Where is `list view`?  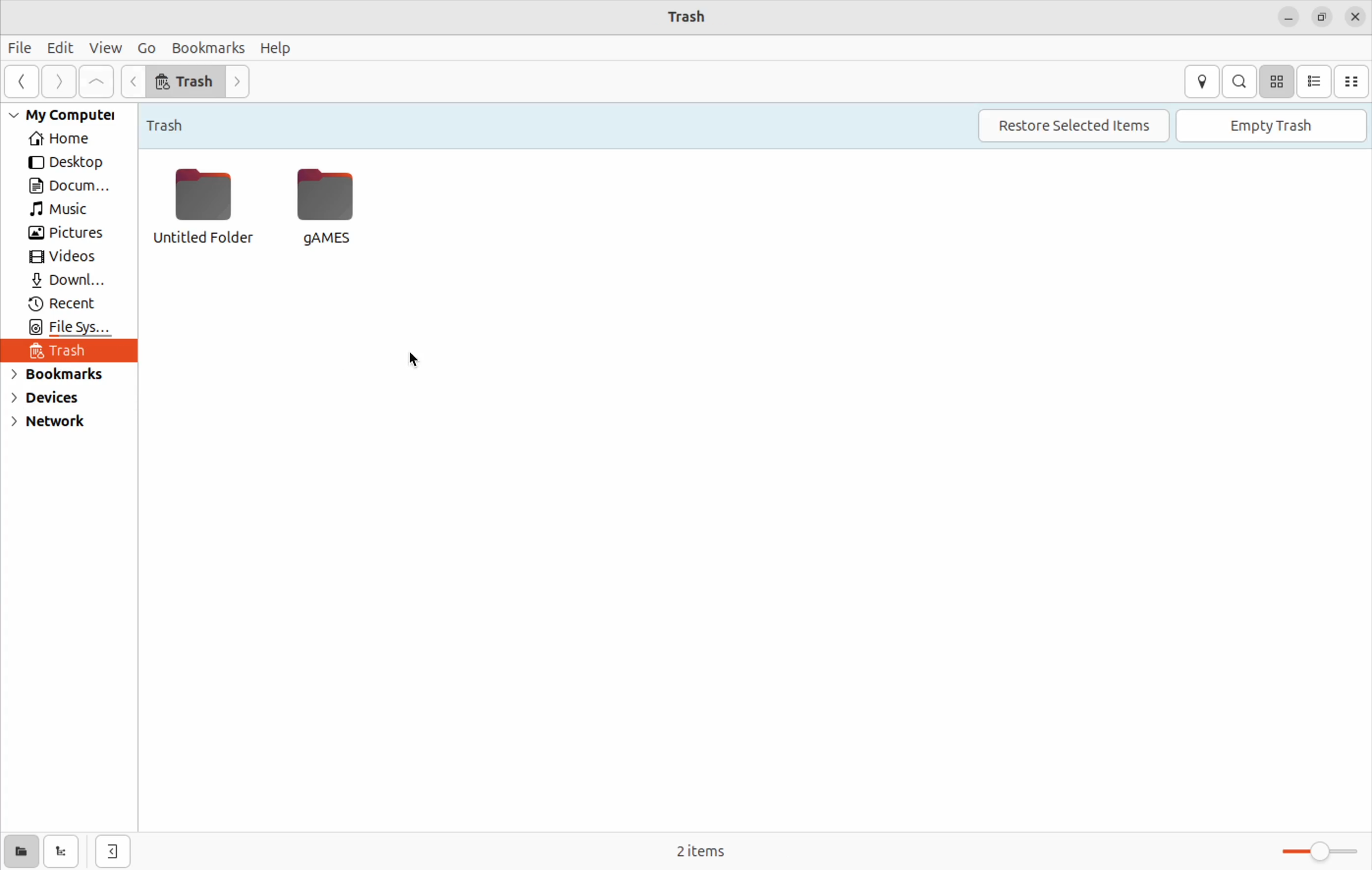
list view is located at coordinates (1315, 81).